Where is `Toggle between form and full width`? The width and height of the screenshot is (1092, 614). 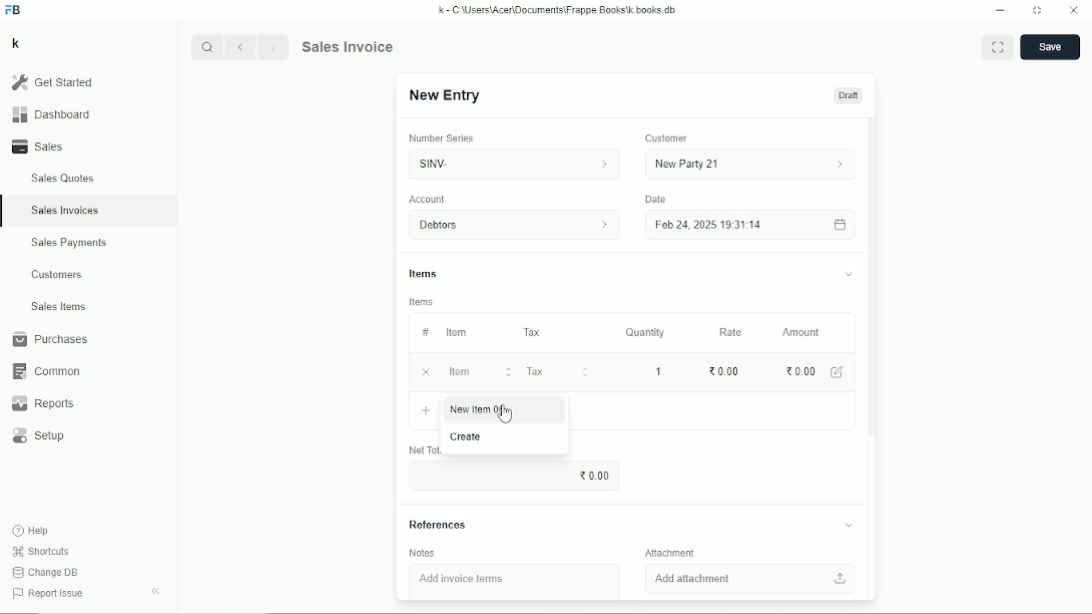 Toggle between form and full width is located at coordinates (998, 46).